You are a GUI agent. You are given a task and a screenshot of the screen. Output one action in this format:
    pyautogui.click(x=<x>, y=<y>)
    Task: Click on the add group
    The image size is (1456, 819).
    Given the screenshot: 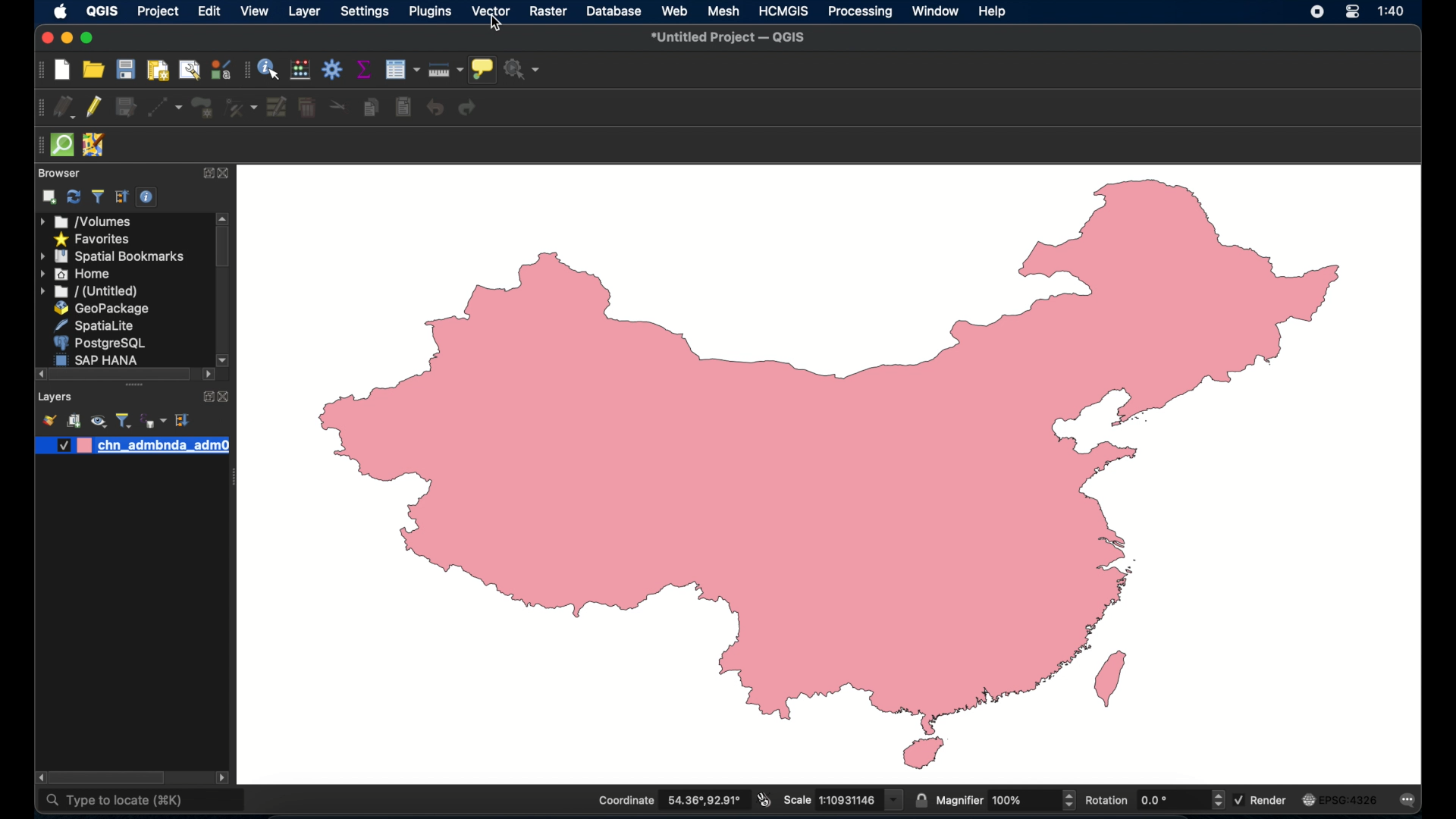 What is the action you would take?
    pyautogui.click(x=74, y=420)
    